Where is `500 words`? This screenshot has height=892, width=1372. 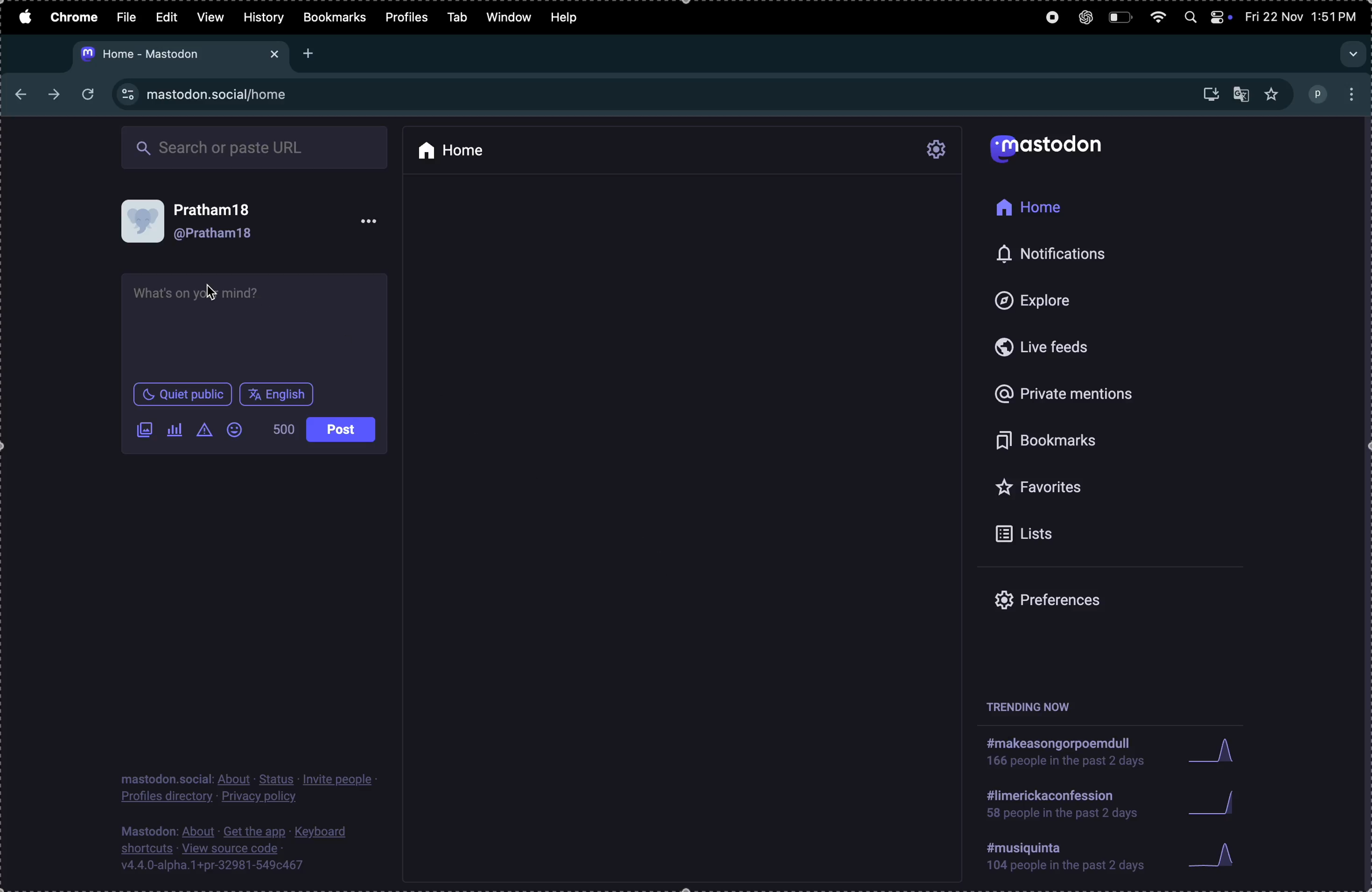
500 words is located at coordinates (281, 428).